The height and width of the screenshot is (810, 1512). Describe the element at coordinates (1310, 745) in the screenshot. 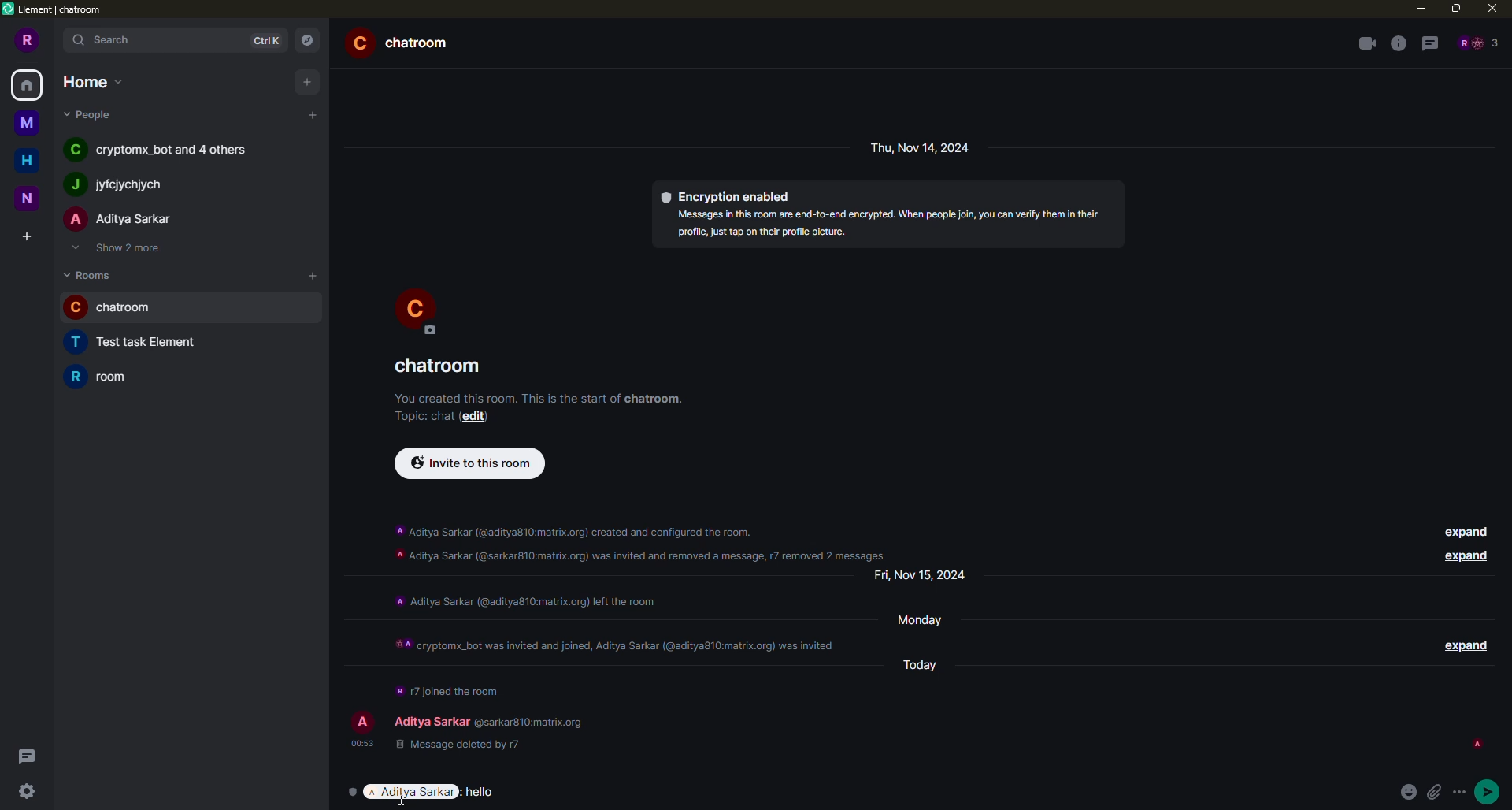

I see `id` at that location.